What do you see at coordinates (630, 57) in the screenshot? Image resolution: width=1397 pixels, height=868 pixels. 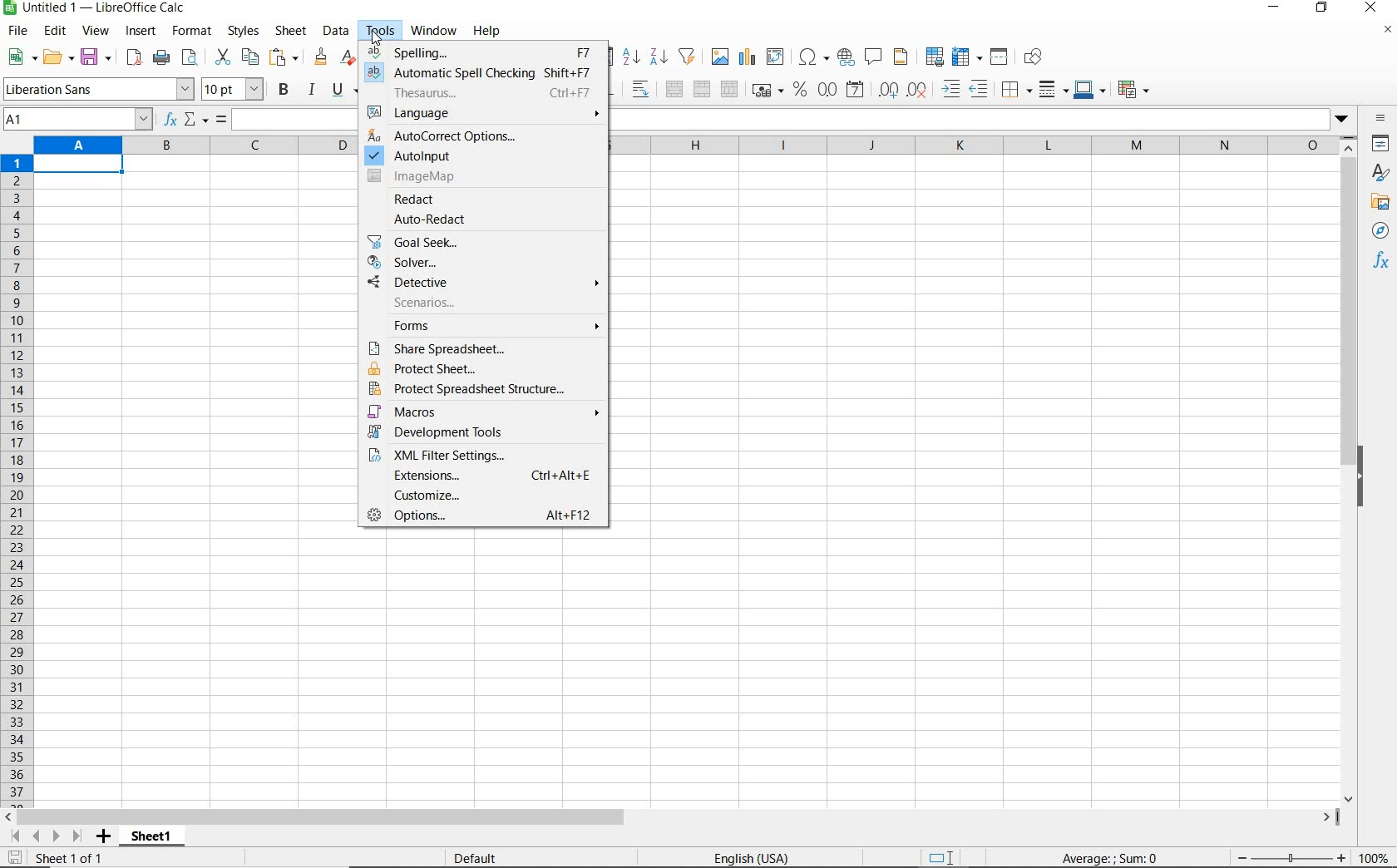 I see `sort ascending` at bounding box center [630, 57].